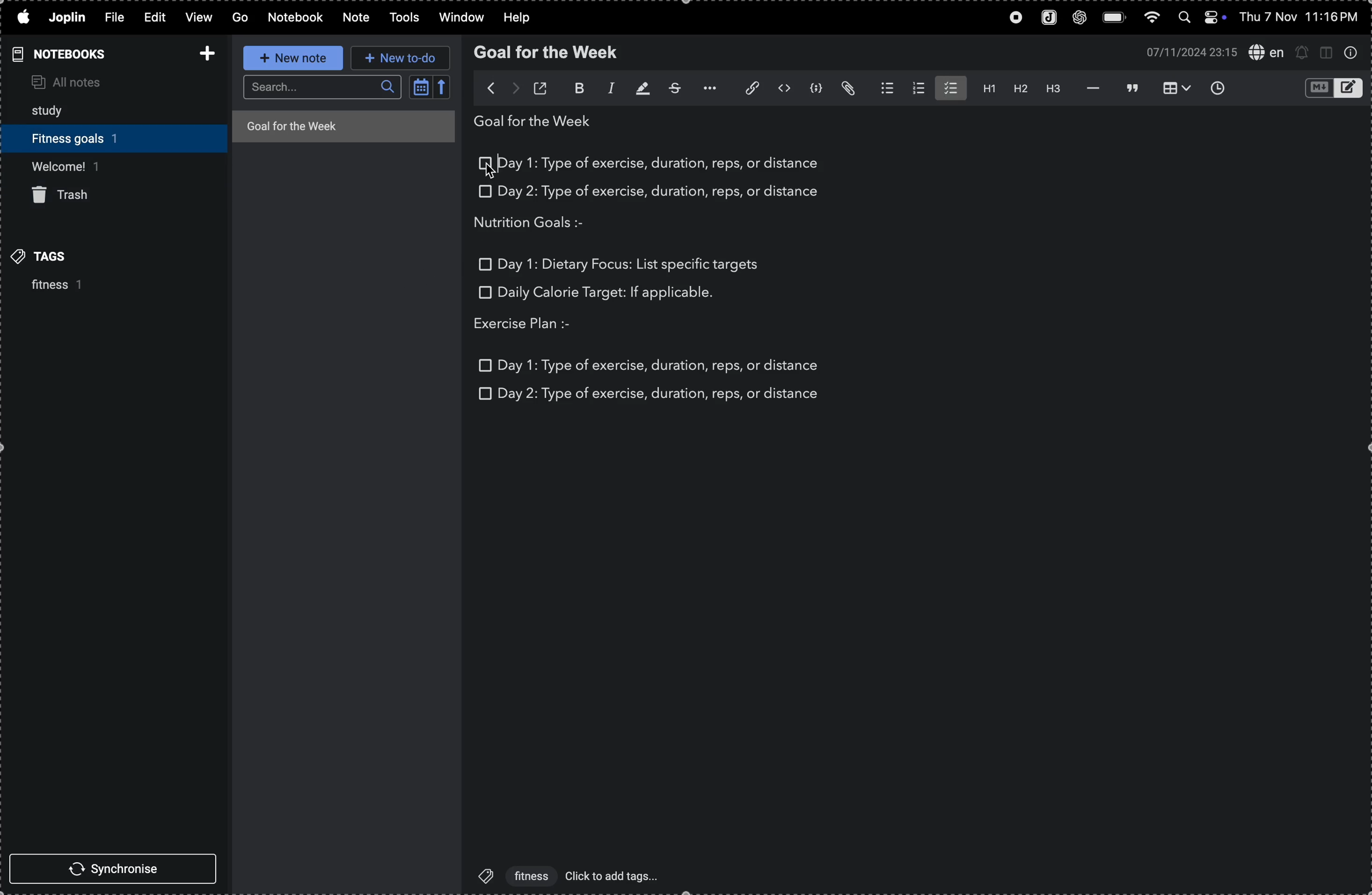 Image resolution: width=1372 pixels, height=895 pixels. I want to click on toggle editor layout, so click(1326, 54).